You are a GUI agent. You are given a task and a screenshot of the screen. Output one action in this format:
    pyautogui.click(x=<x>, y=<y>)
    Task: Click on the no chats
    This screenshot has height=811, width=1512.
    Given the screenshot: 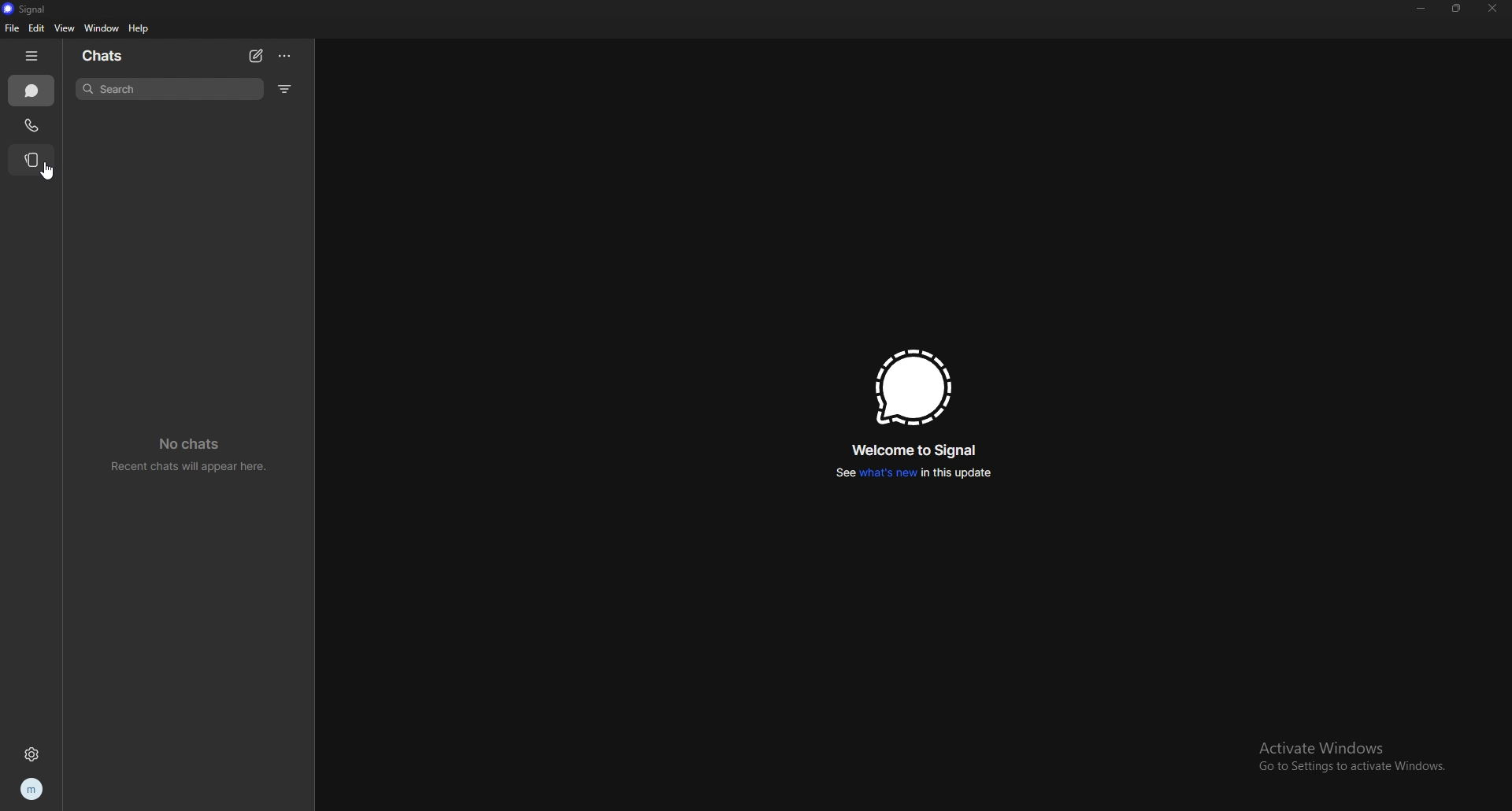 What is the action you would take?
    pyautogui.click(x=192, y=444)
    